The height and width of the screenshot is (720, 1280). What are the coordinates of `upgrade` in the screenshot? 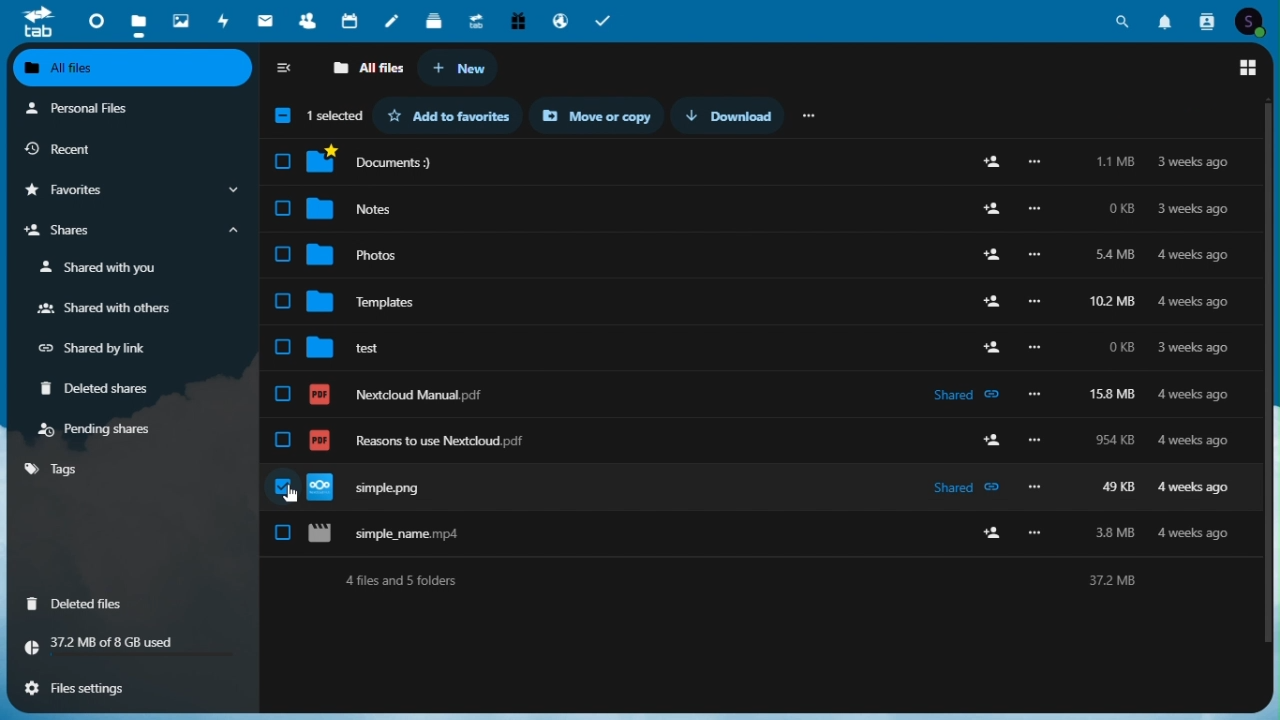 It's located at (478, 19).